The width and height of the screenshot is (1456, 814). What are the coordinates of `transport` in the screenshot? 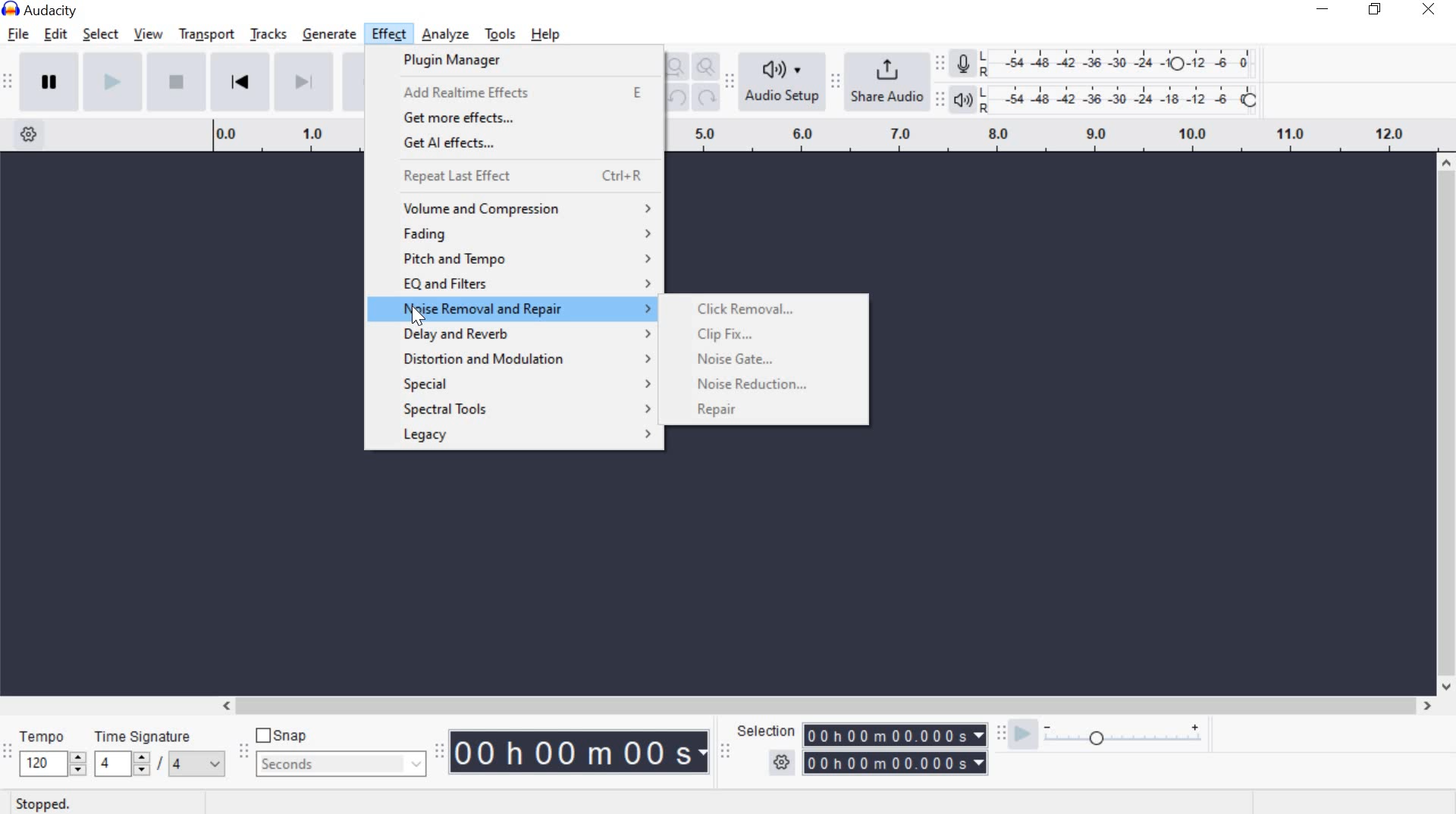 It's located at (209, 36).